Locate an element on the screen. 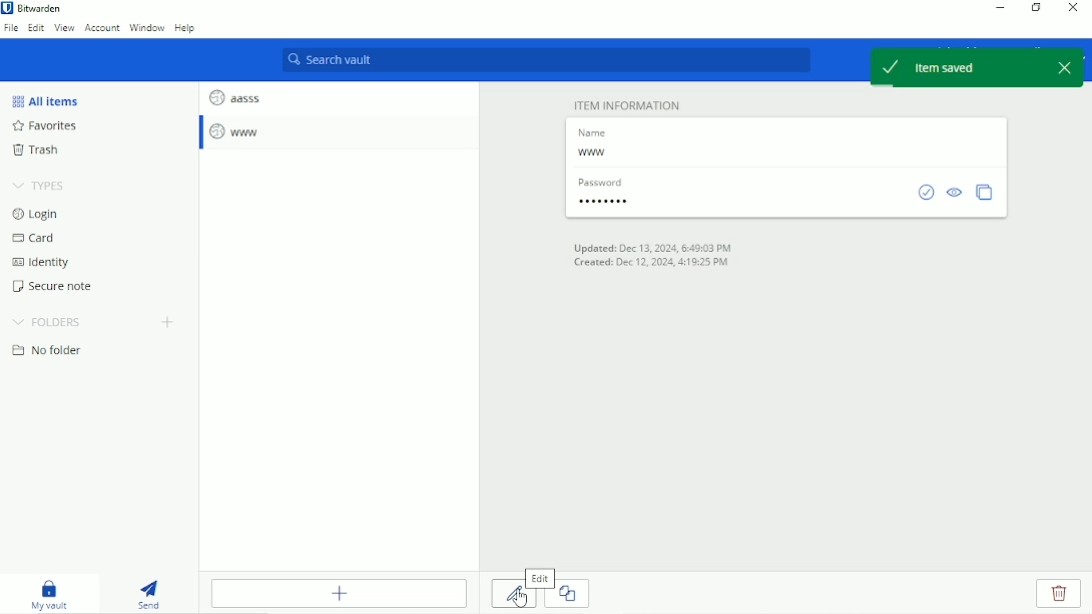 The height and width of the screenshot is (614, 1092). Updated on is located at coordinates (653, 248).